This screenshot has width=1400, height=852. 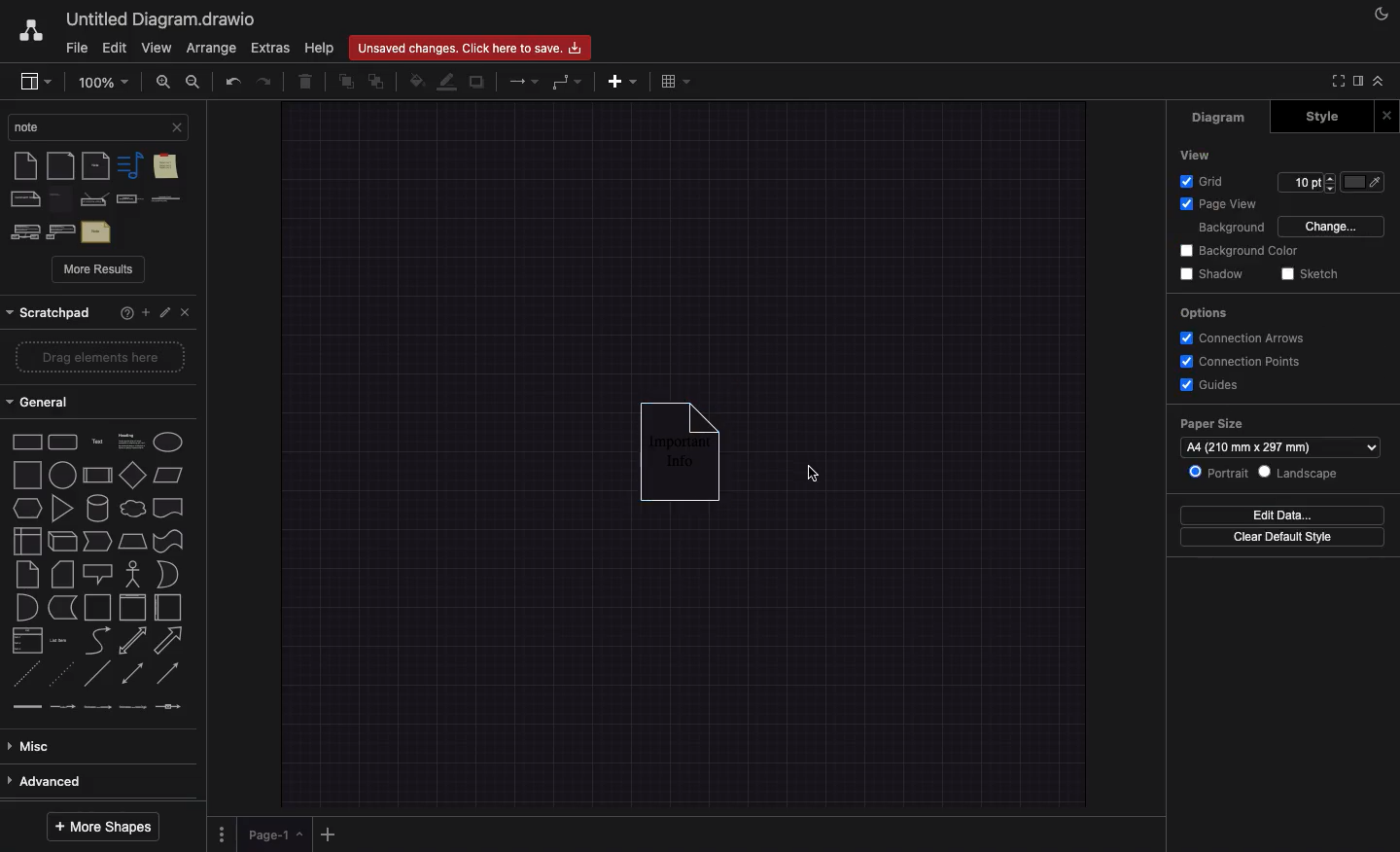 I want to click on or, so click(x=24, y=609).